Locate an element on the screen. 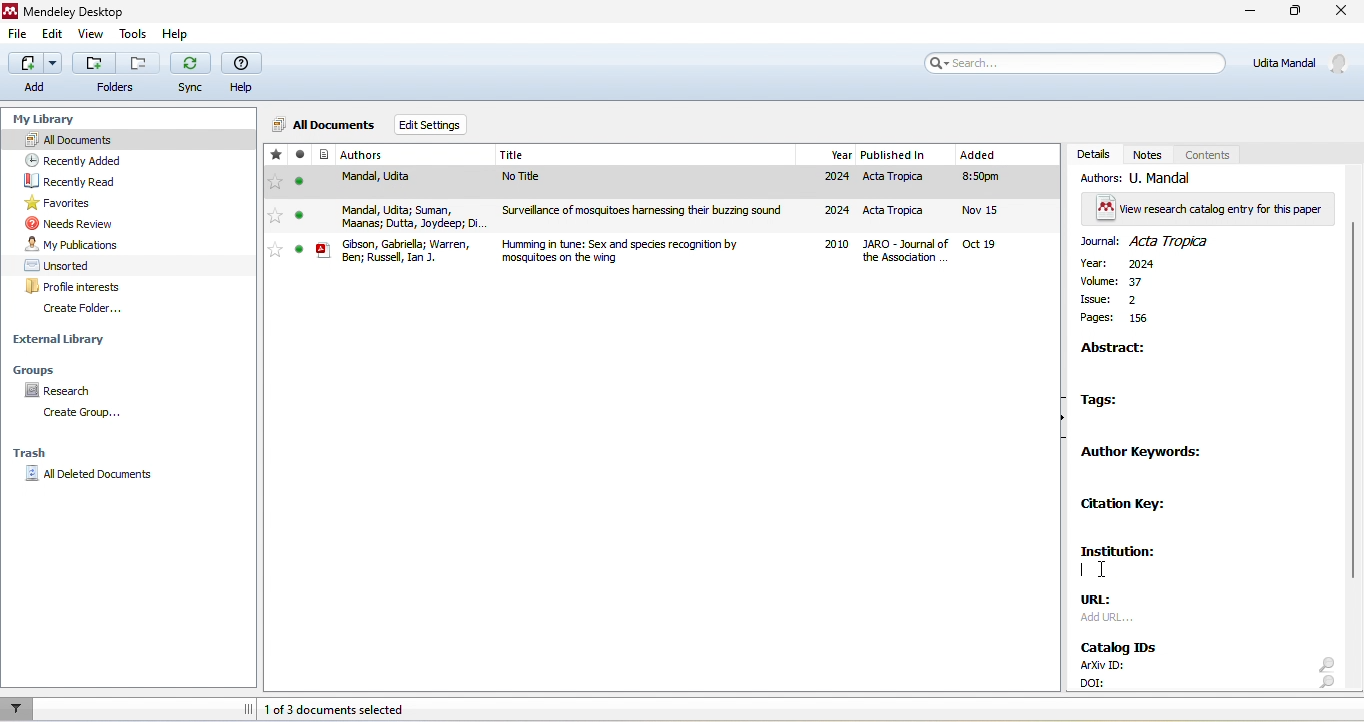 The width and height of the screenshot is (1364, 722). remove is located at coordinates (138, 63).